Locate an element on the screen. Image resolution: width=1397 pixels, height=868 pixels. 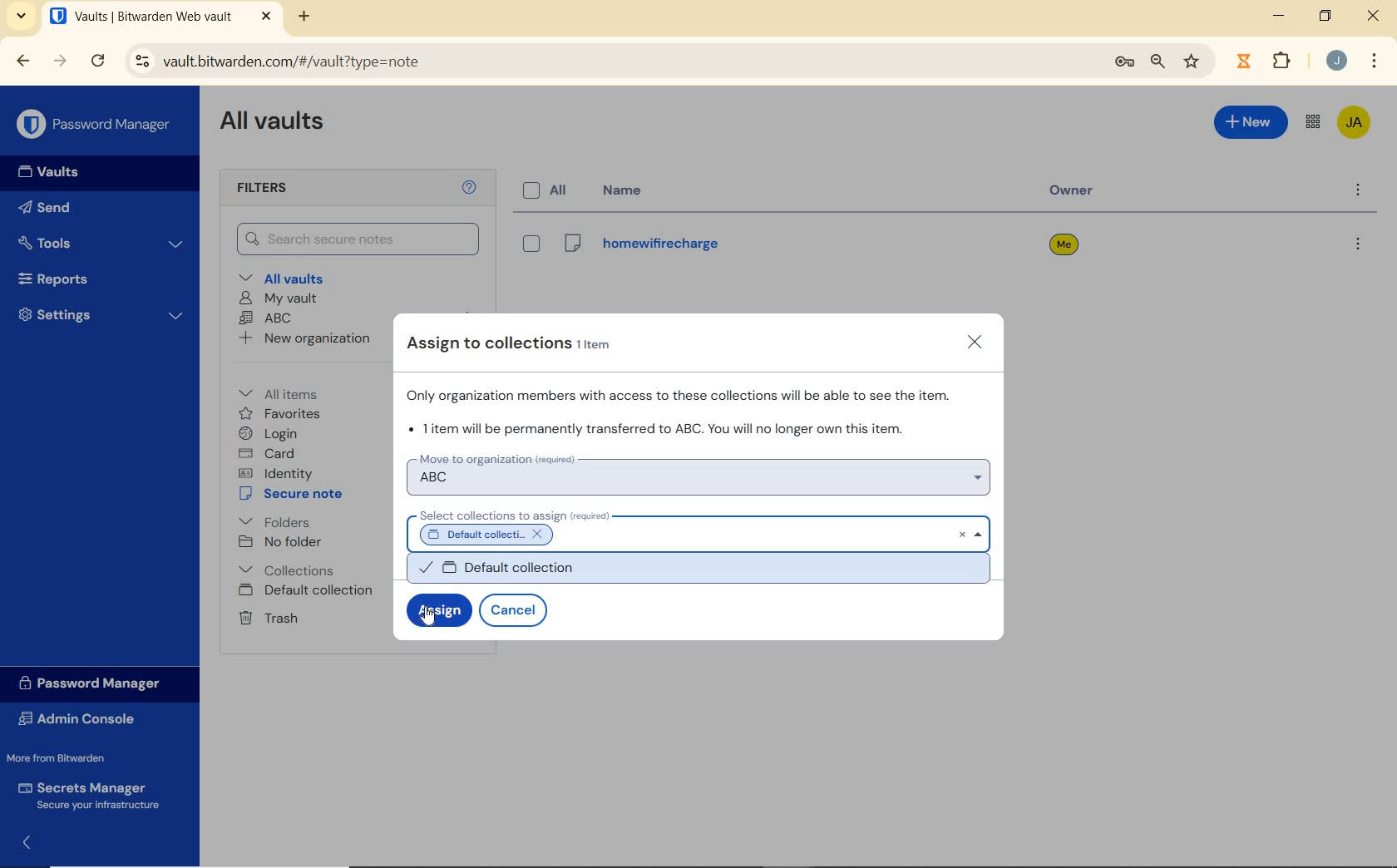
No folder is located at coordinates (280, 542).